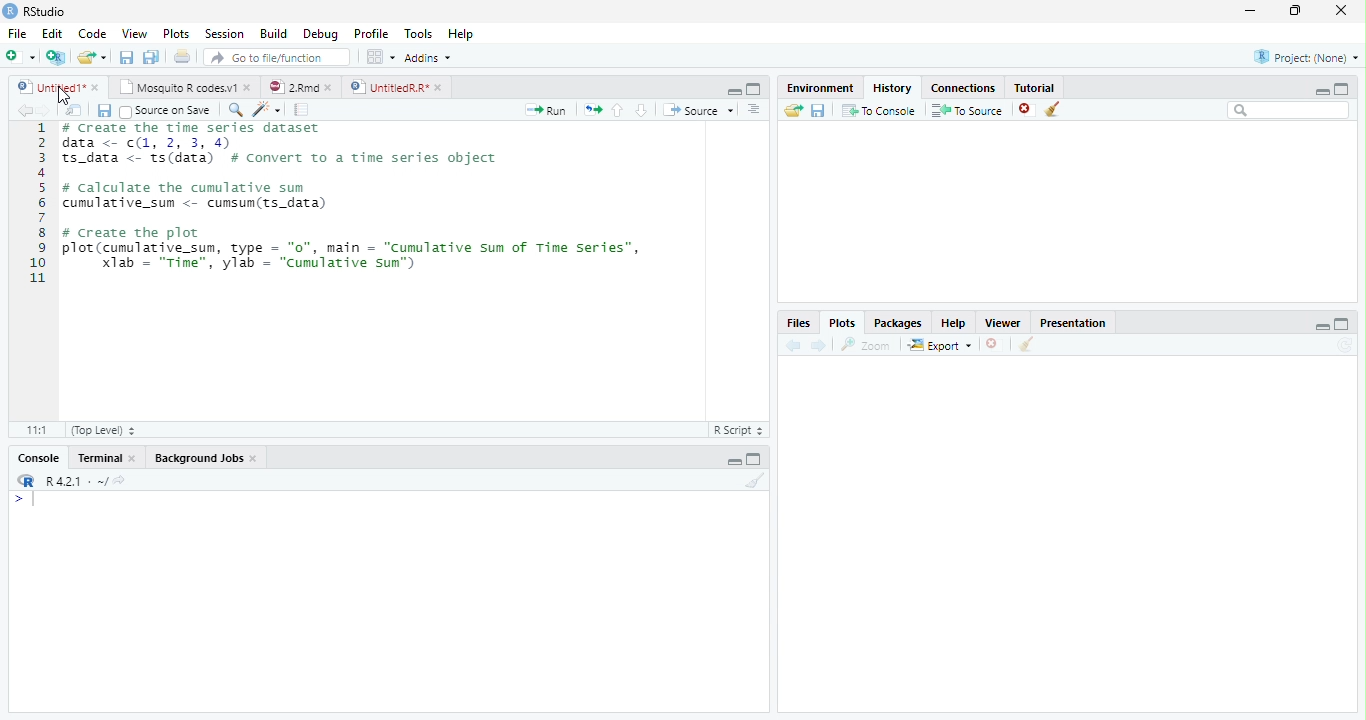 Image resolution: width=1366 pixels, height=720 pixels. I want to click on Tools, so click(418, 35).